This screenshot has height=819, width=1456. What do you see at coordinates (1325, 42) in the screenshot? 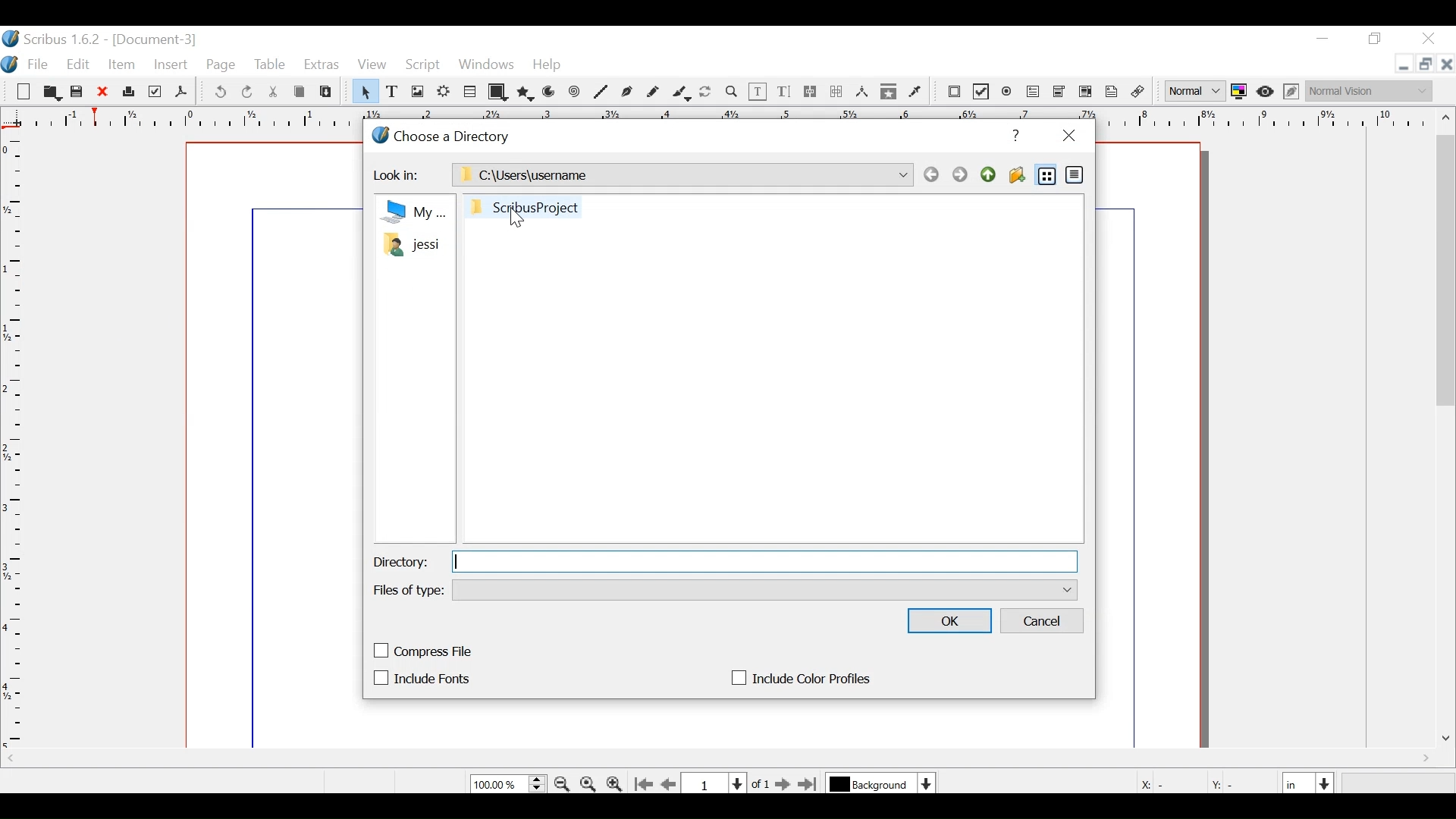
I see `minimize` at bounding box center [1325, 42].